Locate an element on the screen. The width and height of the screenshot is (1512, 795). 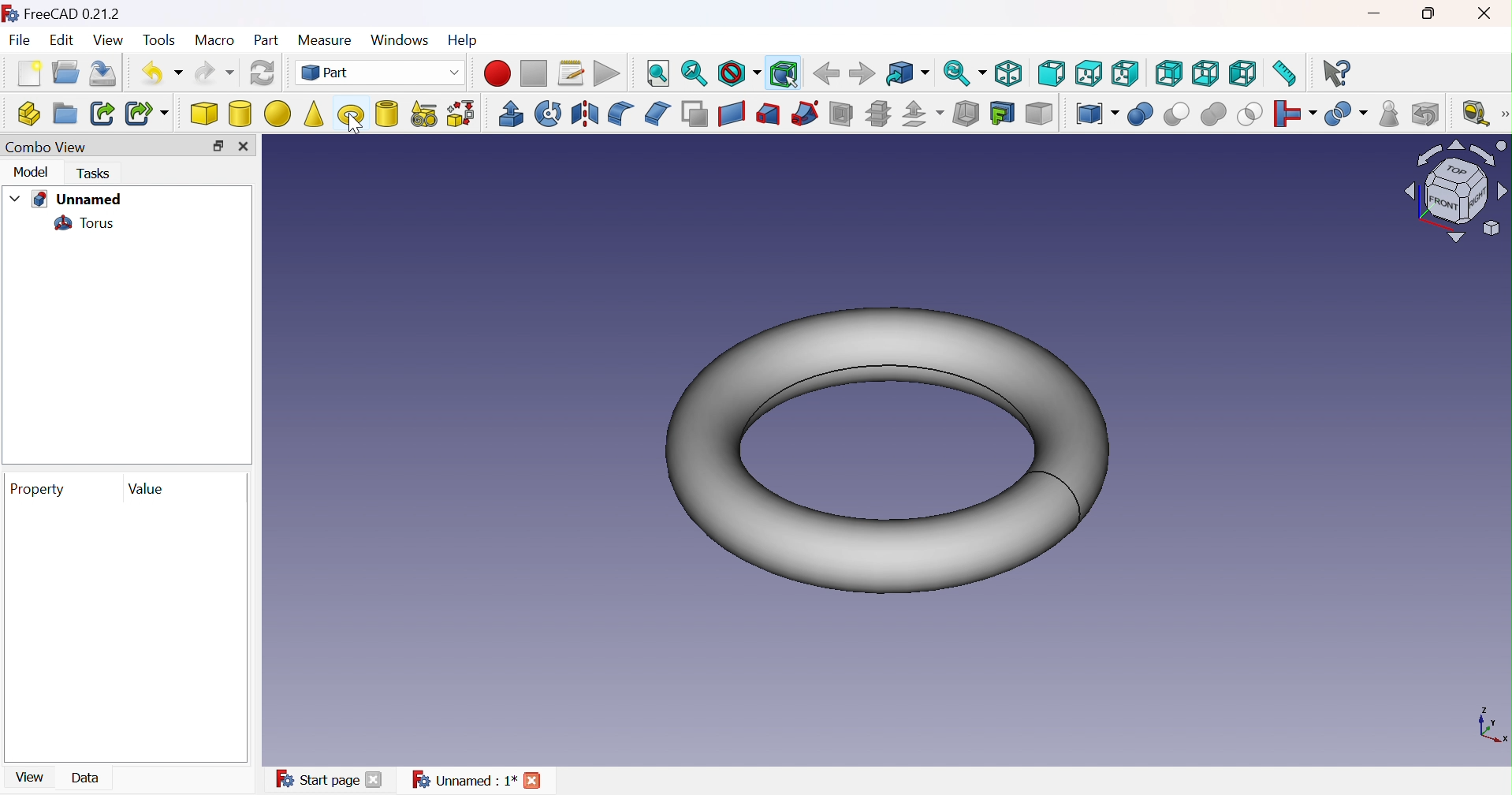
Create primitives is located at coordinates (426, 114).